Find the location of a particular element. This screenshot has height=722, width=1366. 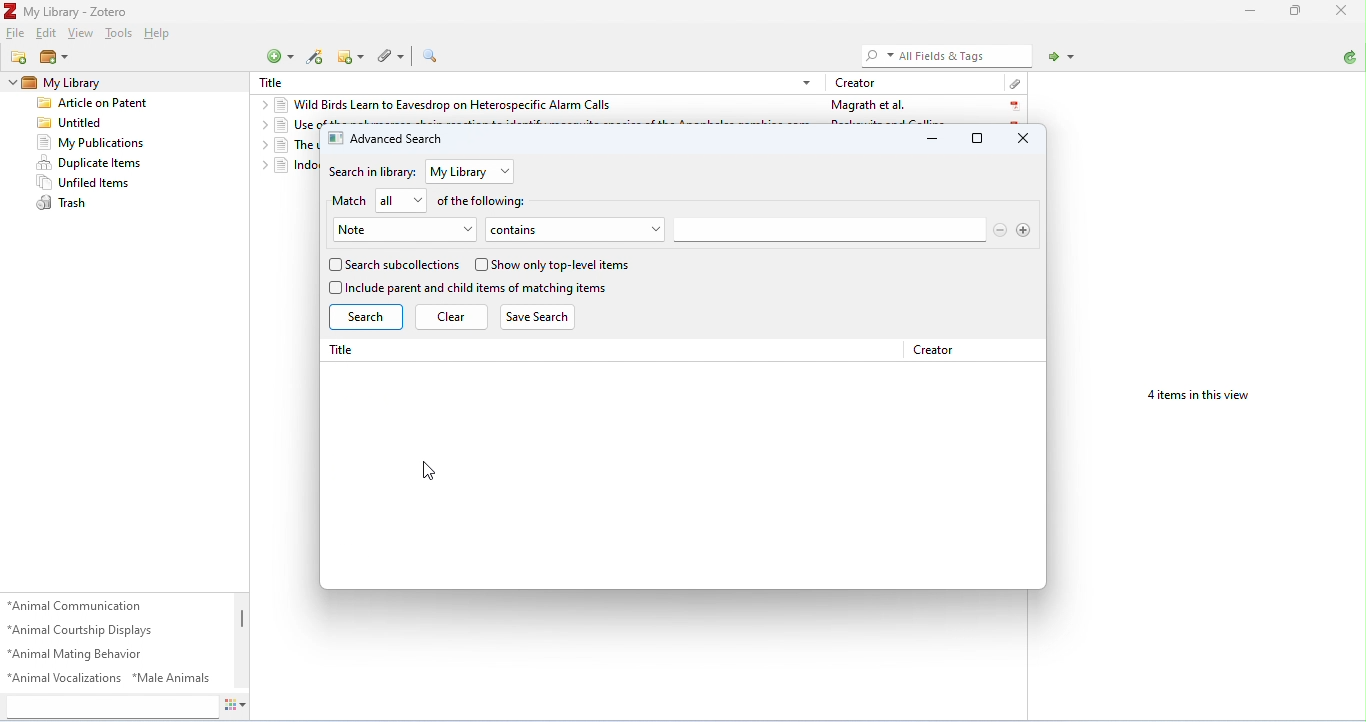

drop-down is located at coordinates (262, 126).